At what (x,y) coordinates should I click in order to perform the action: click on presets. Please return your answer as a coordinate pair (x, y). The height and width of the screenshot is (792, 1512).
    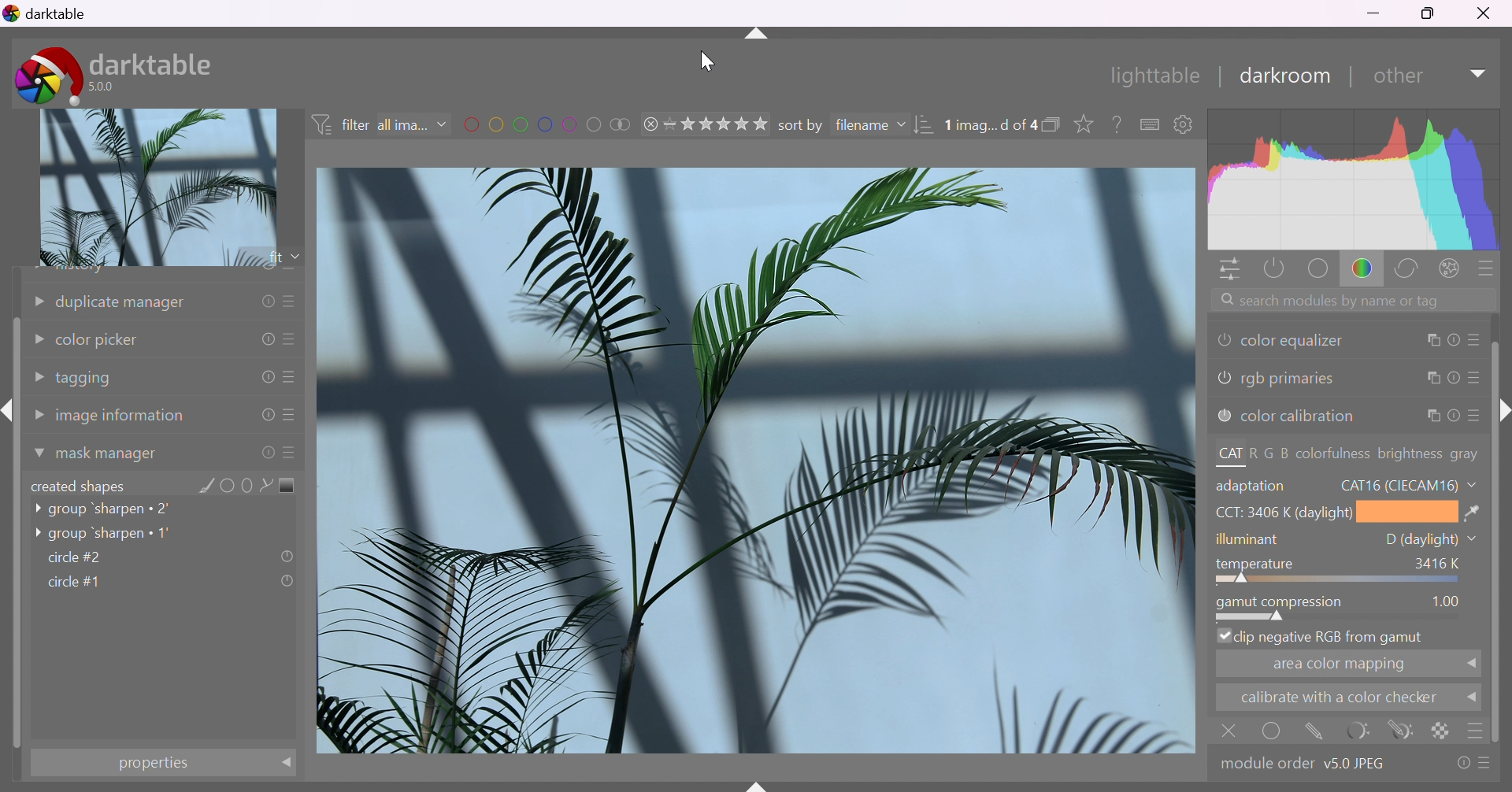
    Looking at the image, I should click on (1487, 270).